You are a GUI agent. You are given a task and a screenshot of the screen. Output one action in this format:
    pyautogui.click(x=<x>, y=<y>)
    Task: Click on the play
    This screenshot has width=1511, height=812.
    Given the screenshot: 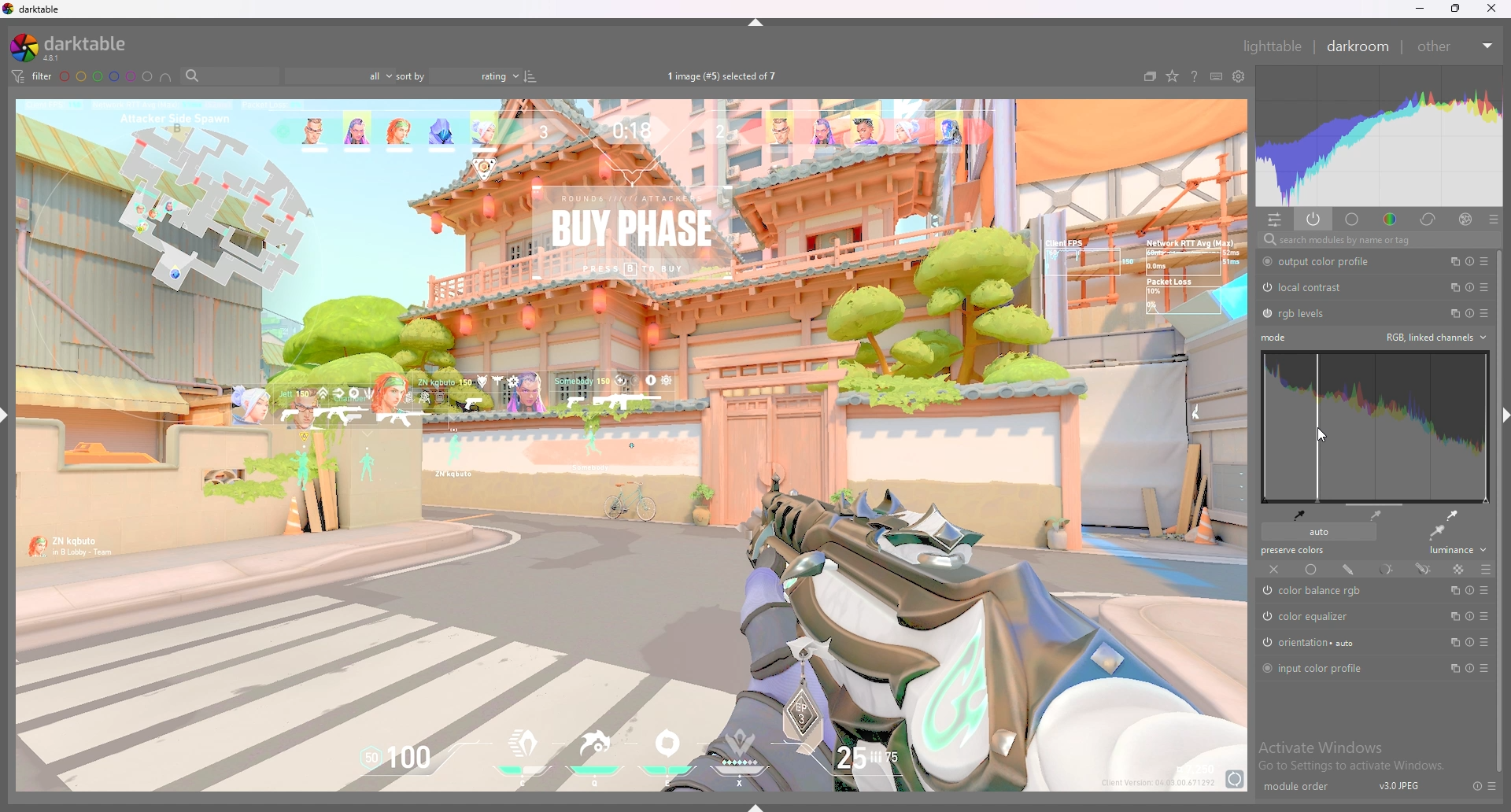 What is the action you would take?
    pyautogui.click(x=1470, y=616)
    